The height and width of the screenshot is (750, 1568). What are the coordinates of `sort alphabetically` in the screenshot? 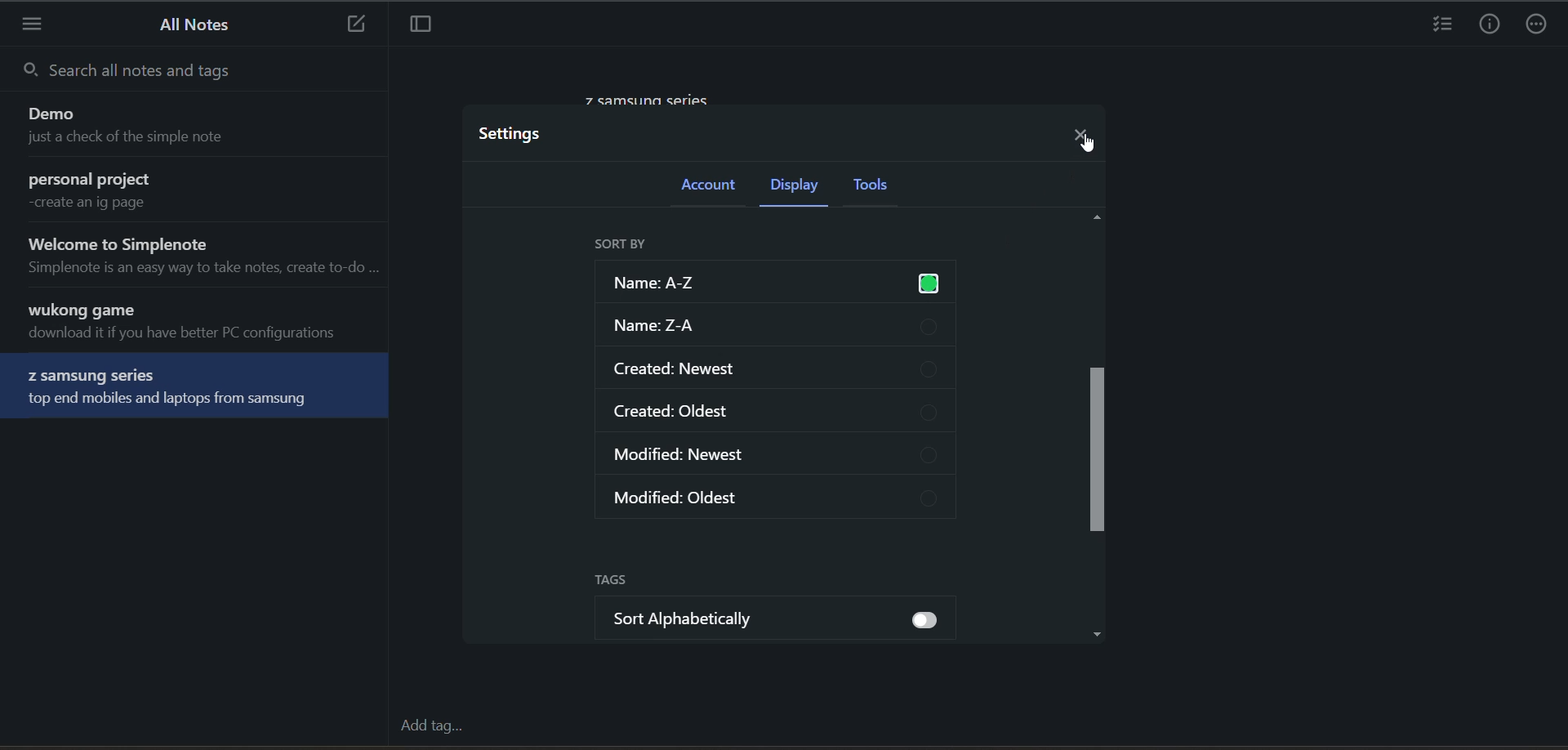 It's located at (790, 622).